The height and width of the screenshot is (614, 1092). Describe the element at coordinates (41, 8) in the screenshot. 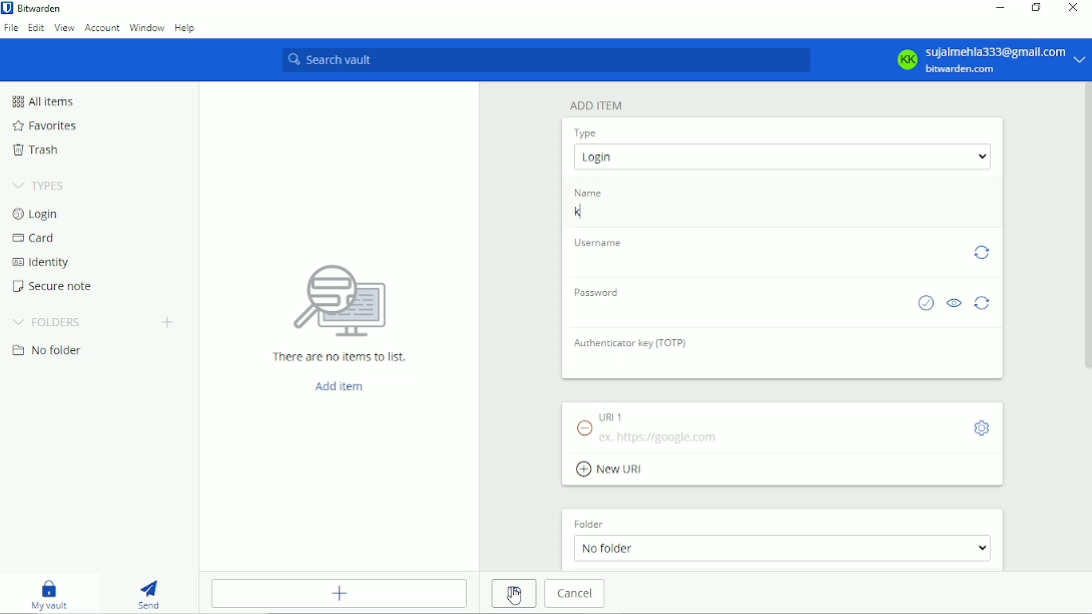

I see `Bitwarden` at that location.